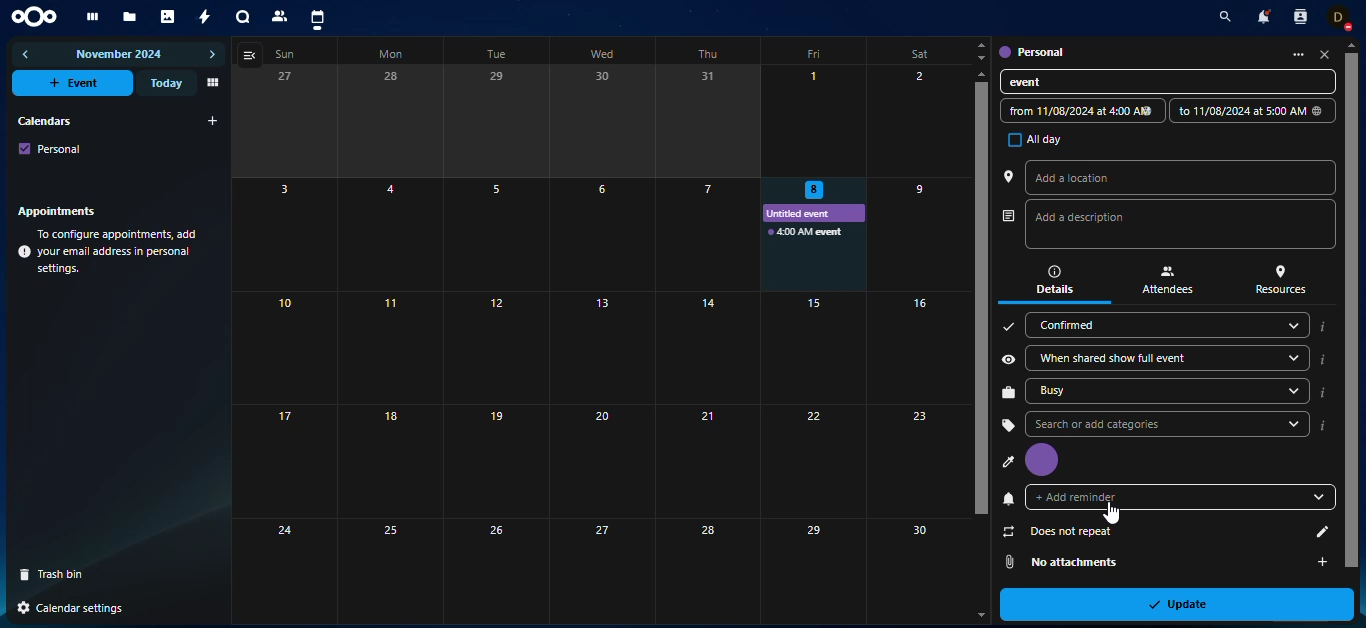 The width and height of the screenshot is (1366, 628). I want to click on drop down, so click(1291, 325).